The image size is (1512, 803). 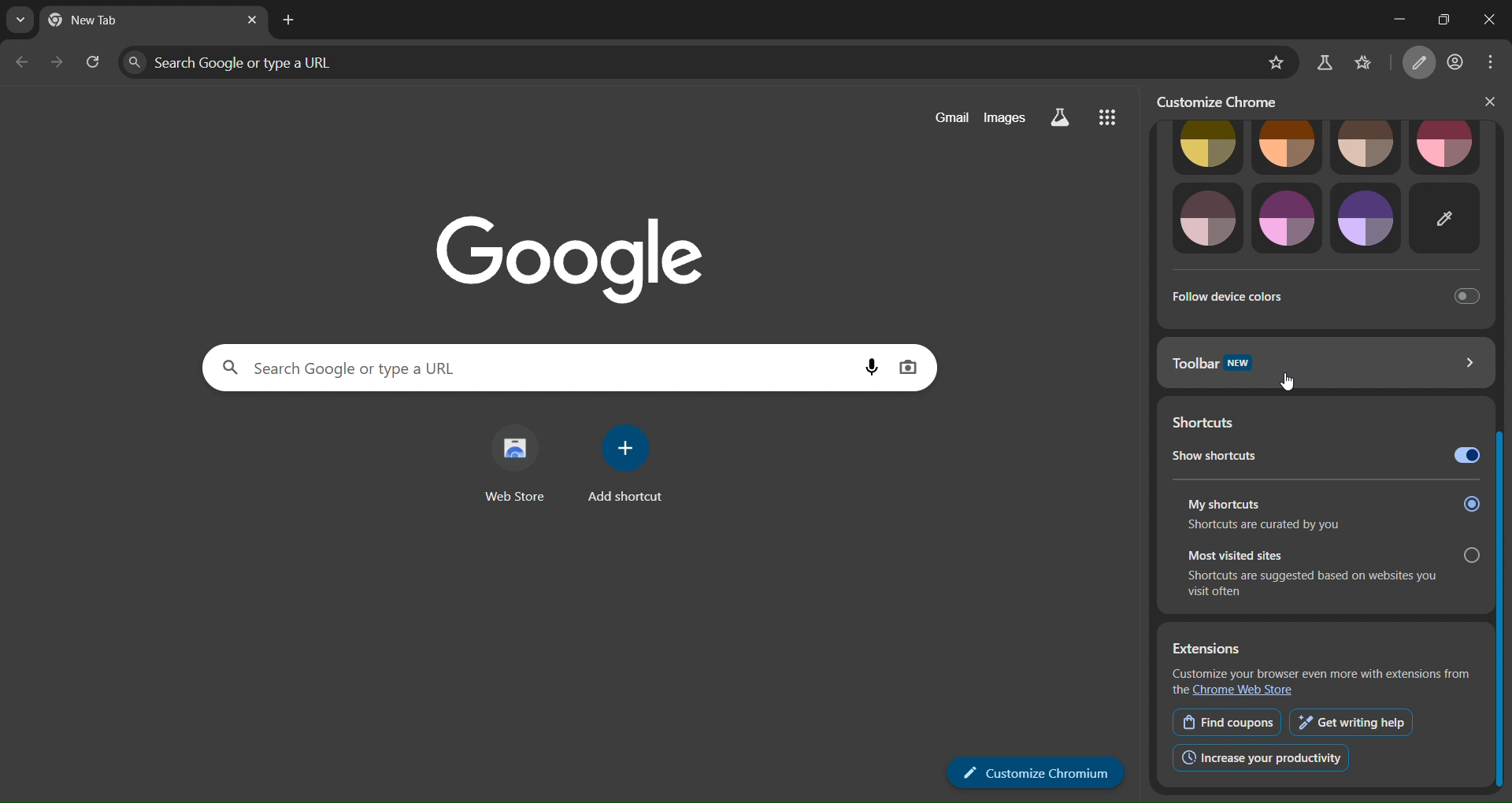 What do you see at coordinates (1254, 457) in the screenshot?
I see `show shortcuts` at bounding box center [1254, 457].